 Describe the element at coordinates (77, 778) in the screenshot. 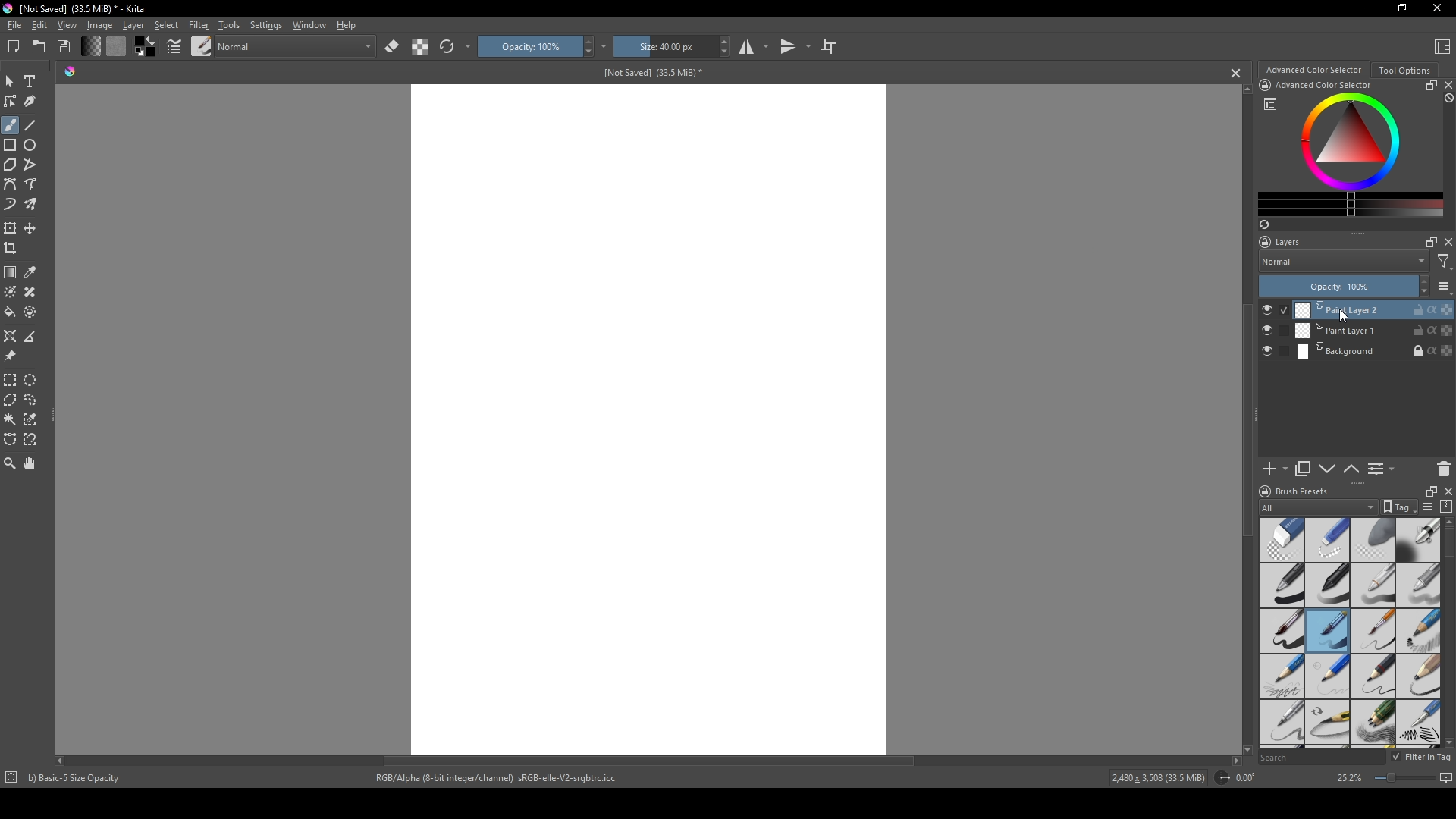

I see `b) Basic-5 Size Opacity` at that location.